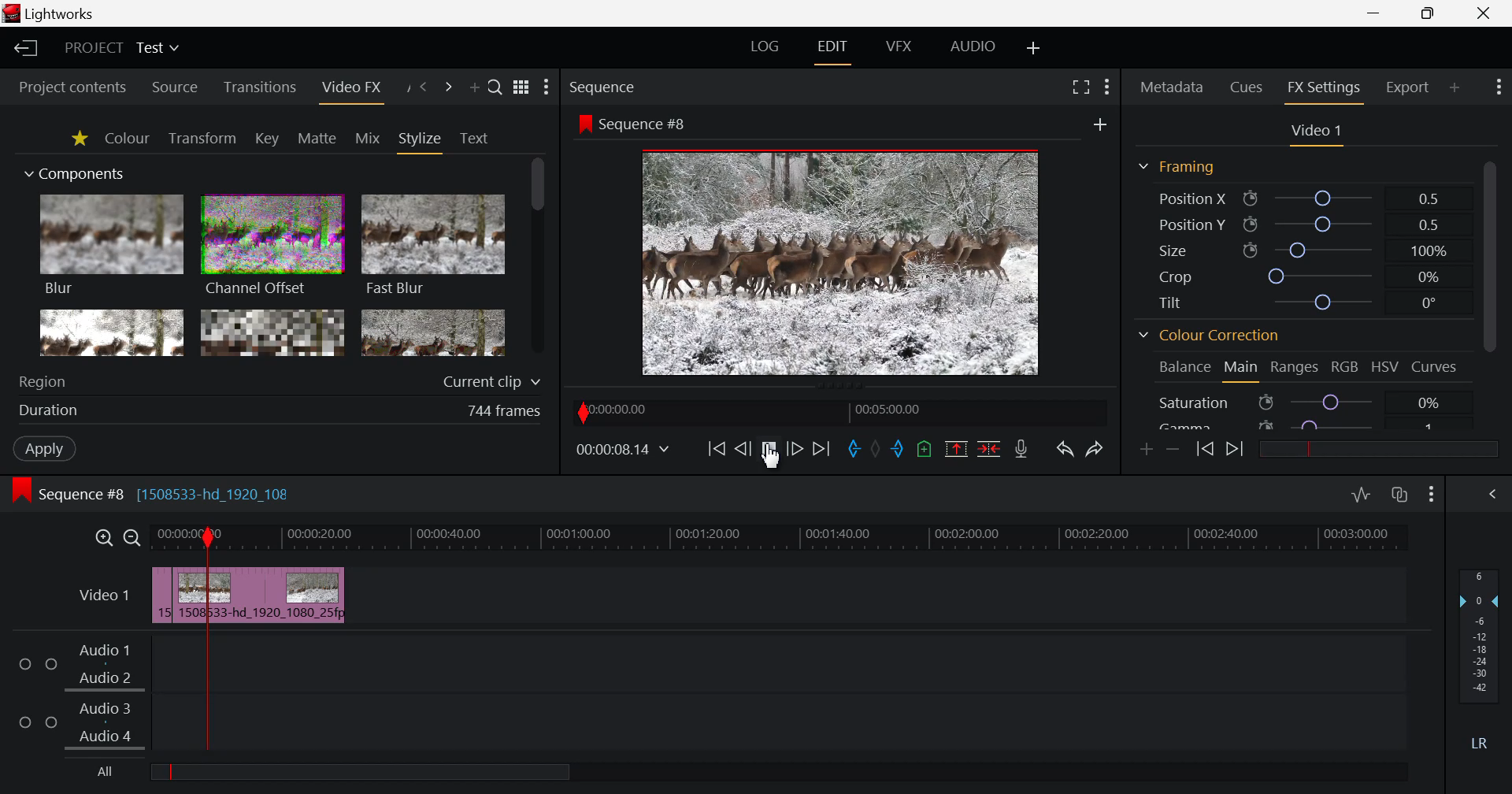  Describe the element at coordinates (280, 380) in the screenshot. I see `Region` at that location.